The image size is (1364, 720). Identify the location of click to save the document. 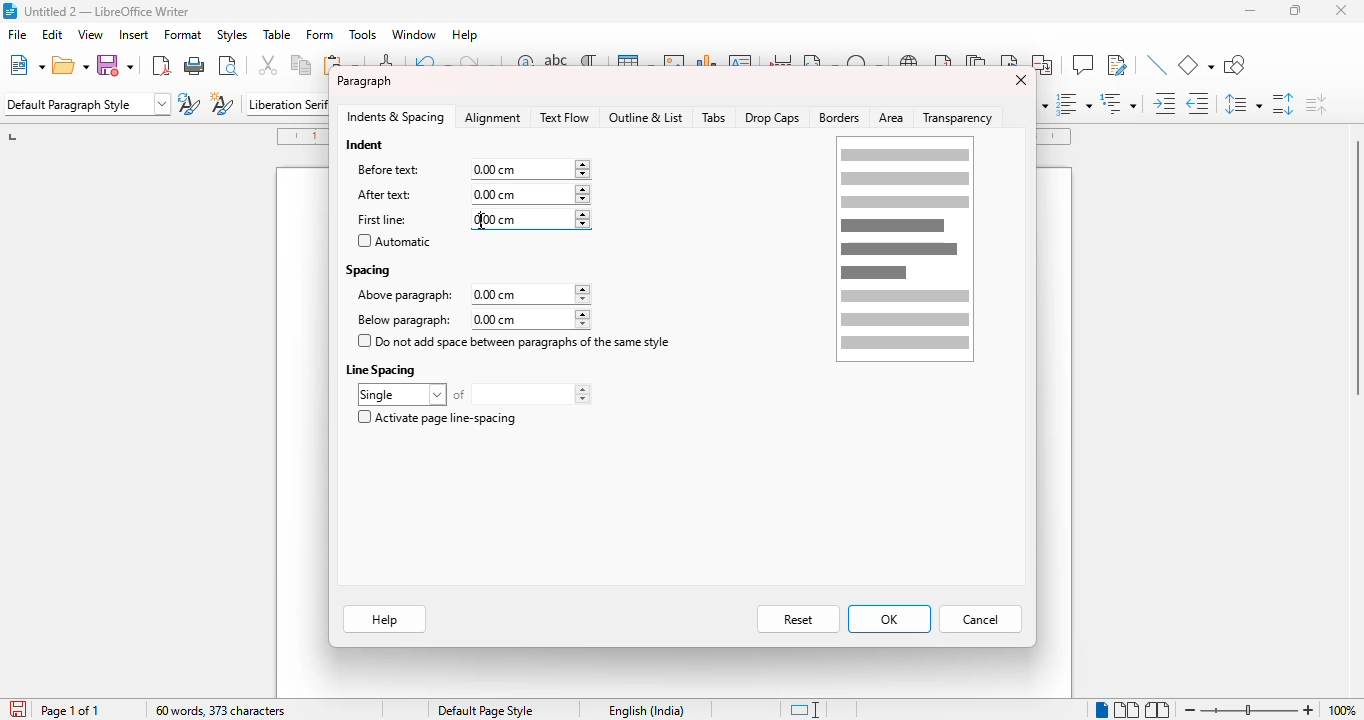
(17, 708).